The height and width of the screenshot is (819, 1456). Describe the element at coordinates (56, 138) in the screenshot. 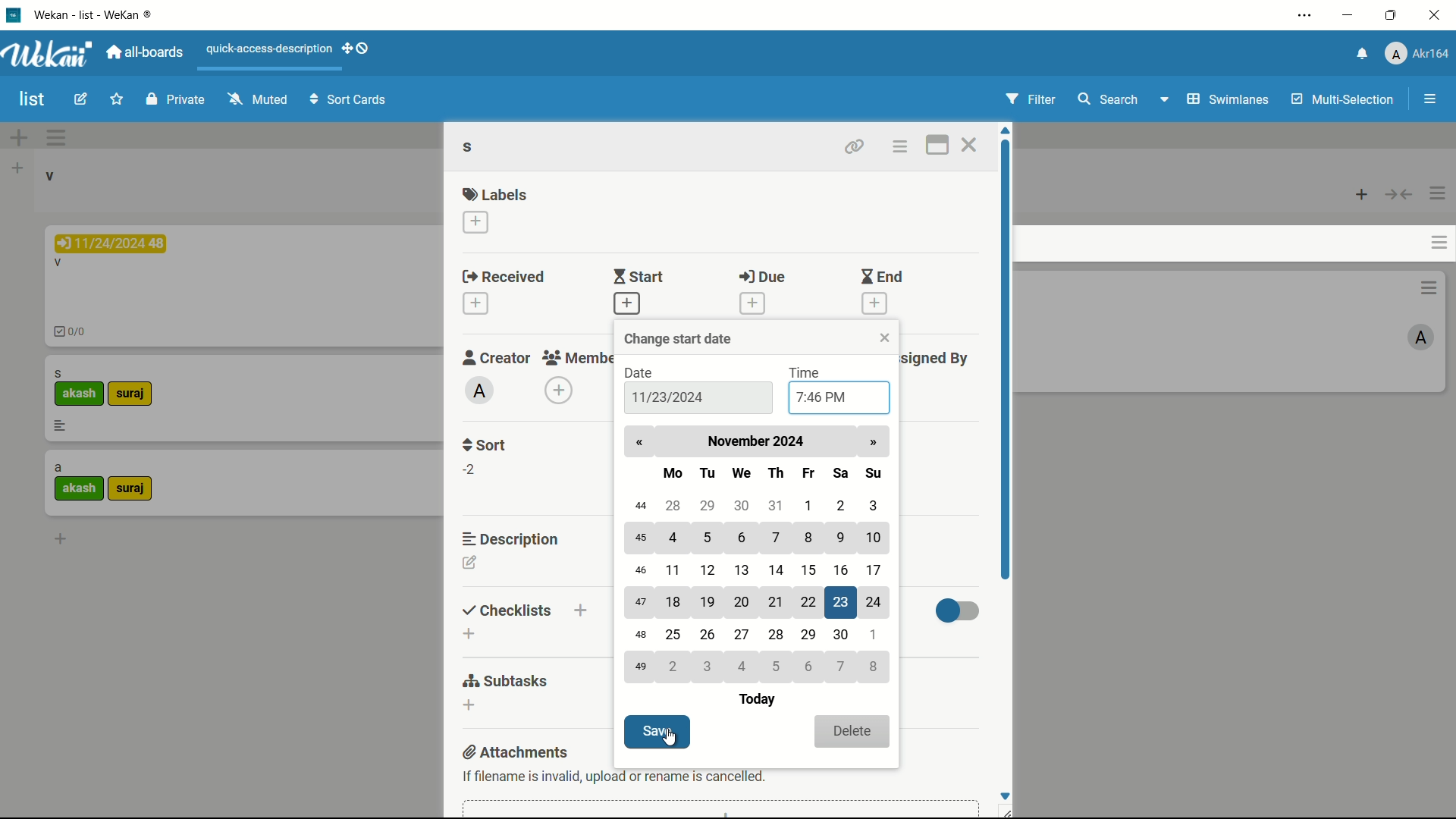

I see `swimlane actions` at that location.